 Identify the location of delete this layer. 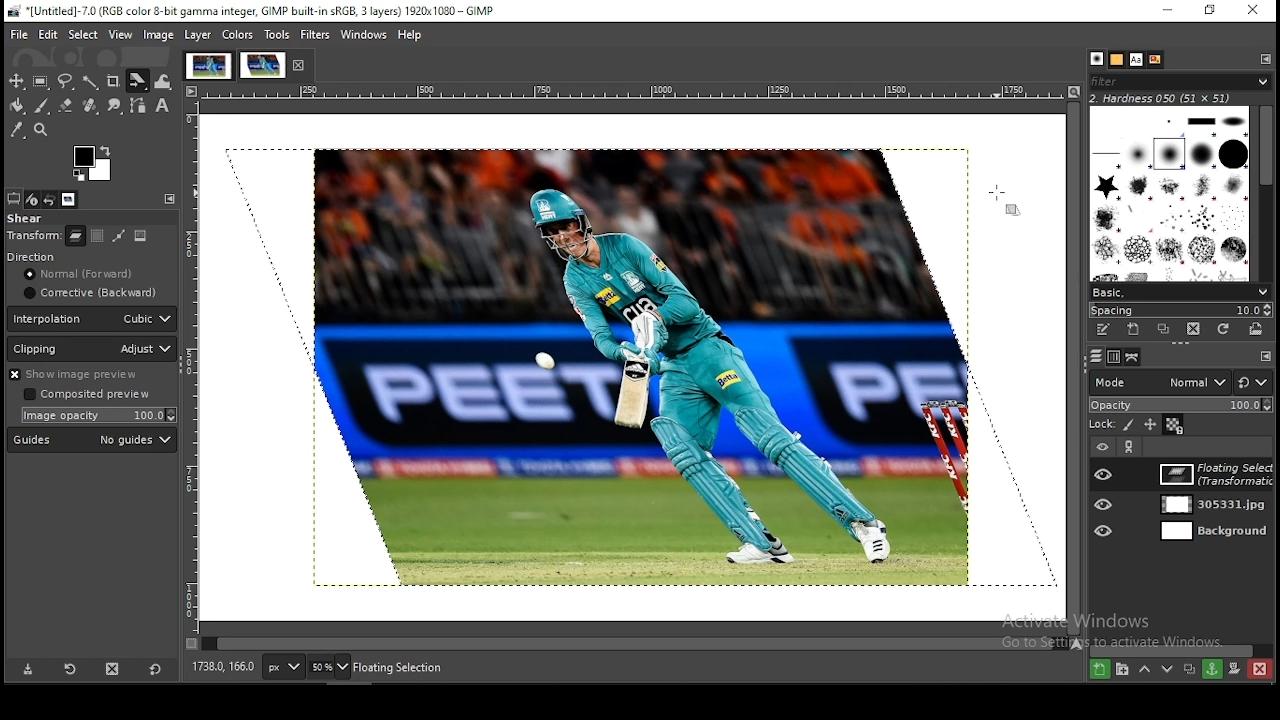
(112, 668).